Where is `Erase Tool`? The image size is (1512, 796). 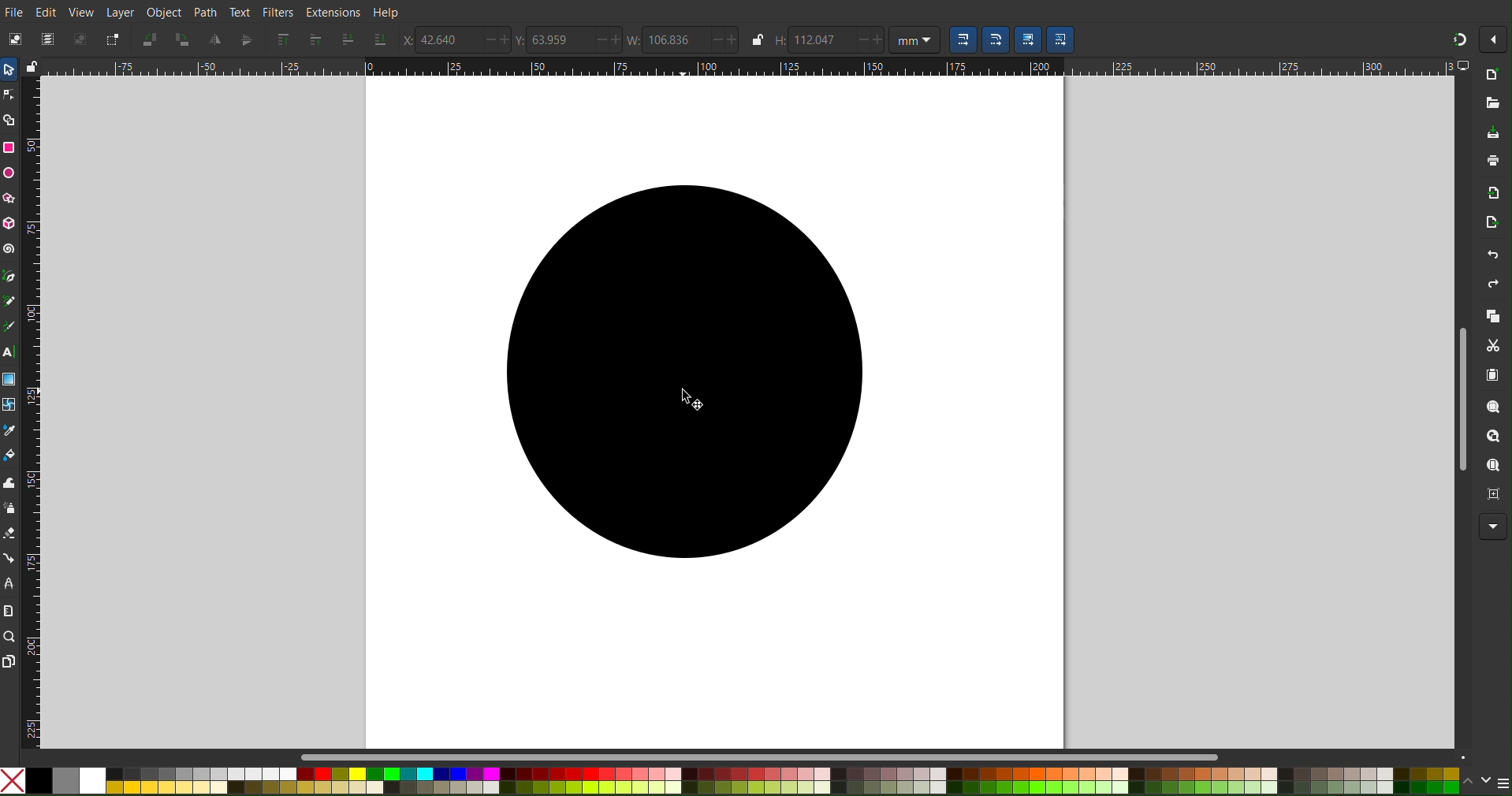 Erase Tool is located at coordinates (9, 533).